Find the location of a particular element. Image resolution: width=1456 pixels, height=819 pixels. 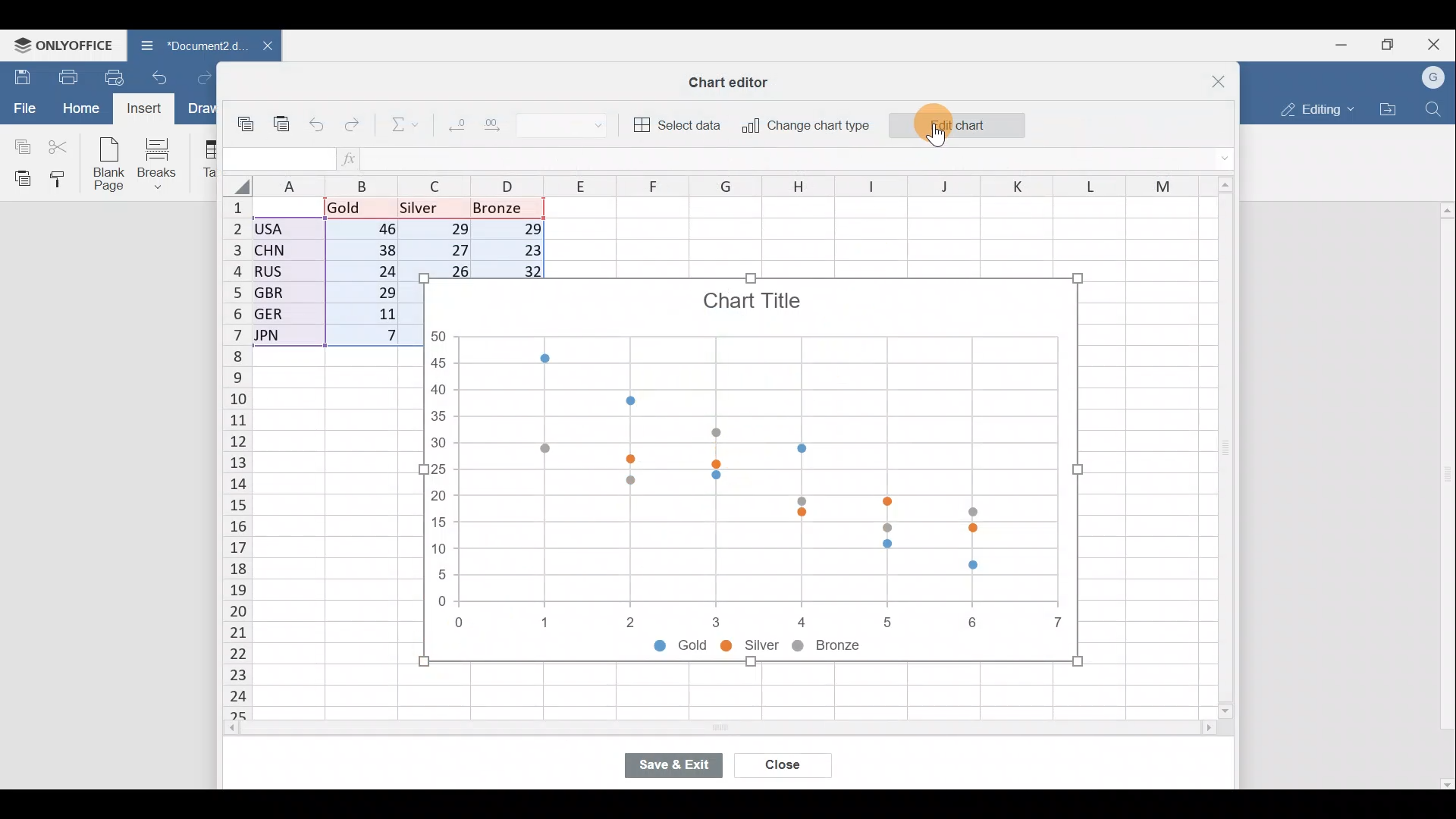

Cursor on Edit chart is located at coordinates (946, 129).